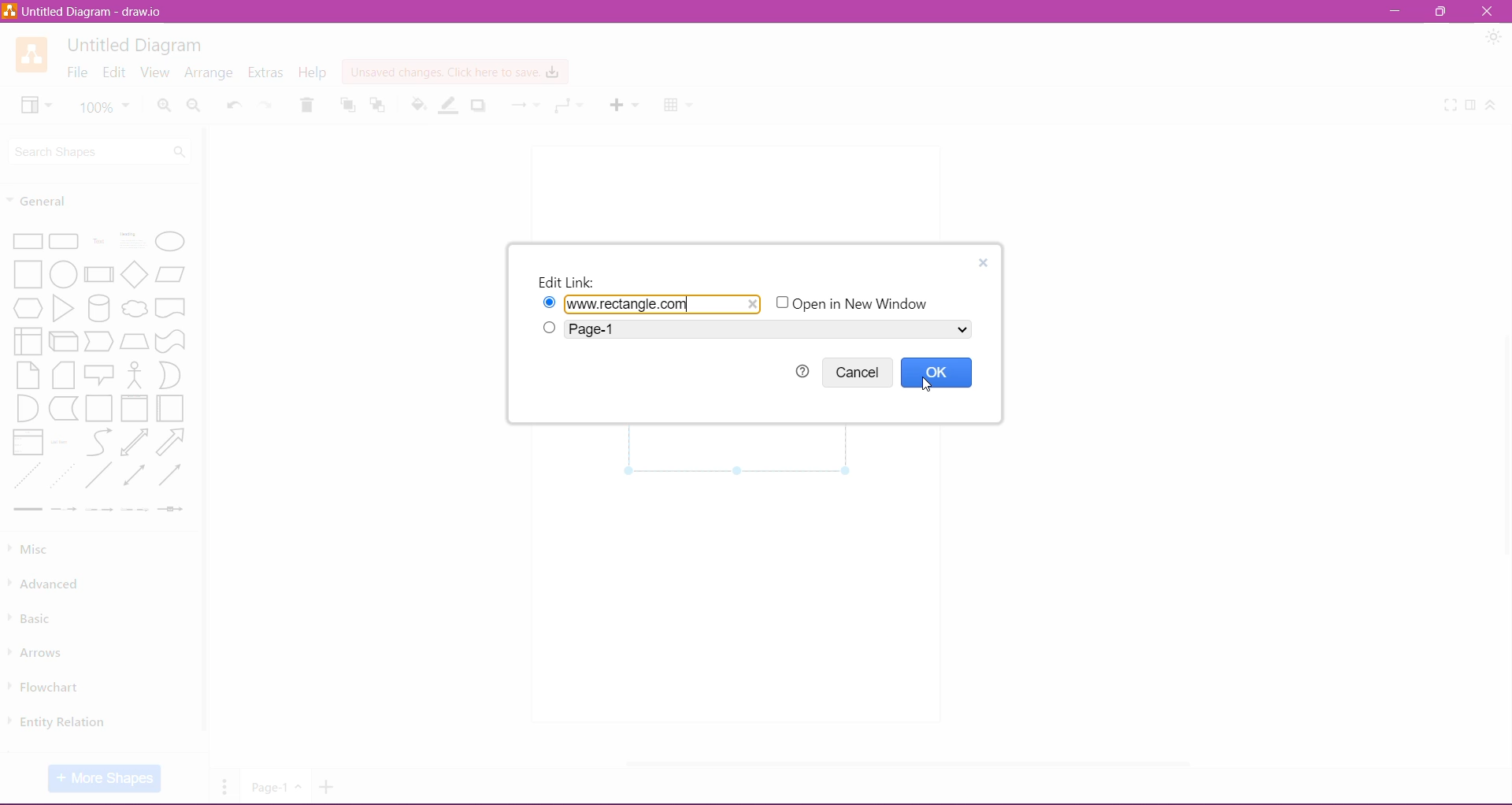 The height and width of the screenshot is (805, 1512). Describe the element at coordinates (1486, 11) in the screenshot. I see `Close` at that location.